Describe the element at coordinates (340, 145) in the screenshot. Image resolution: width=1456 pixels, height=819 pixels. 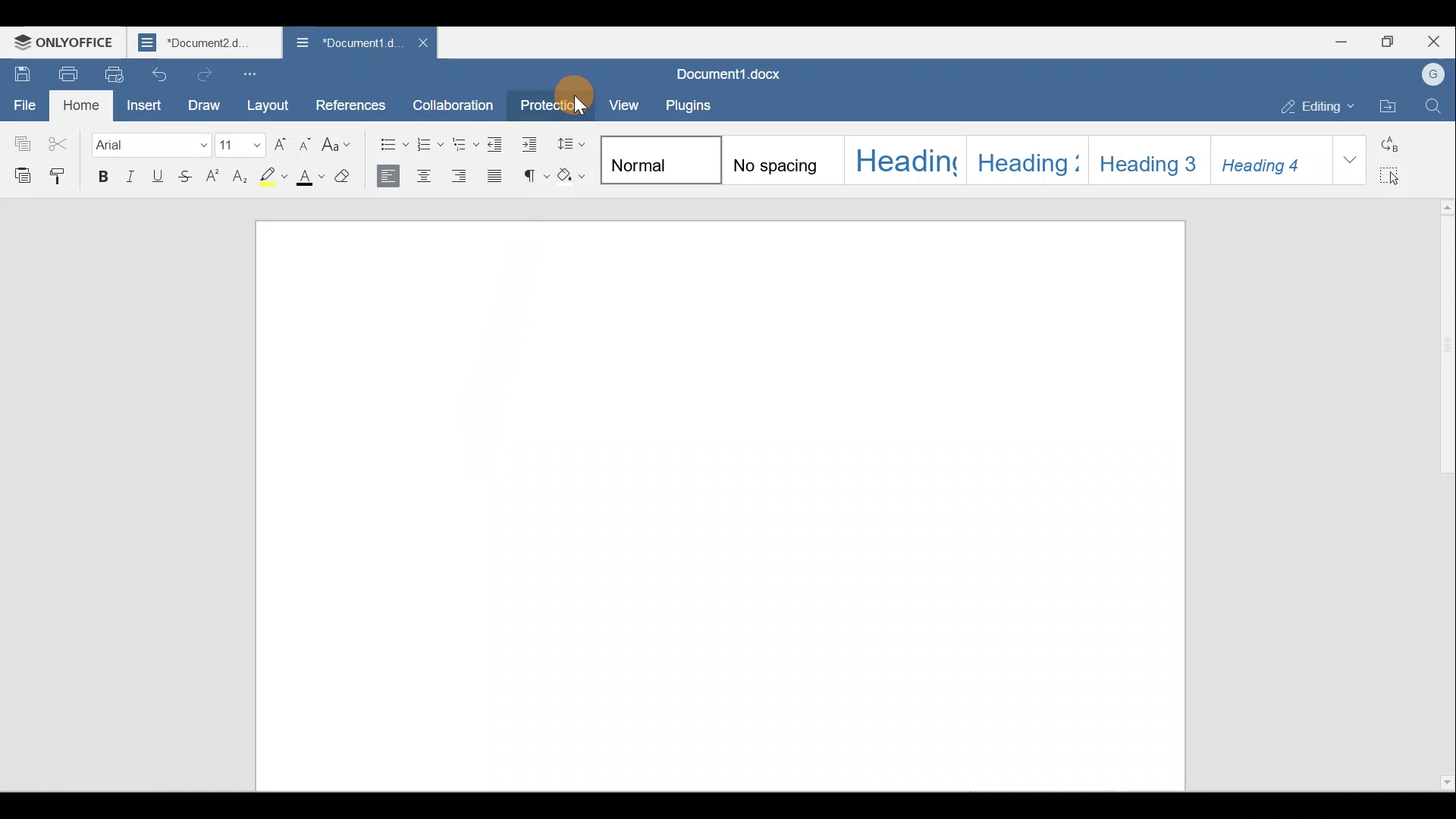
I see `Change case` at that location.